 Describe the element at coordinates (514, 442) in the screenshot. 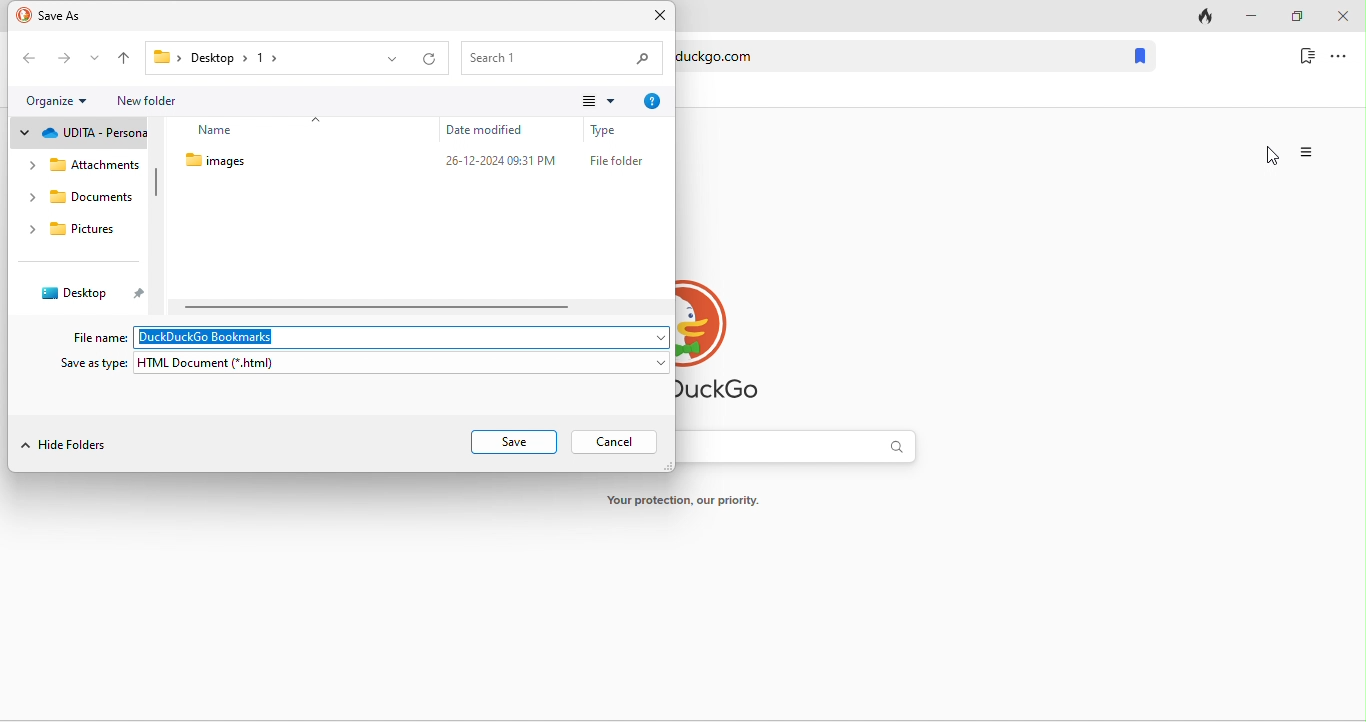

I see `save` at that location.